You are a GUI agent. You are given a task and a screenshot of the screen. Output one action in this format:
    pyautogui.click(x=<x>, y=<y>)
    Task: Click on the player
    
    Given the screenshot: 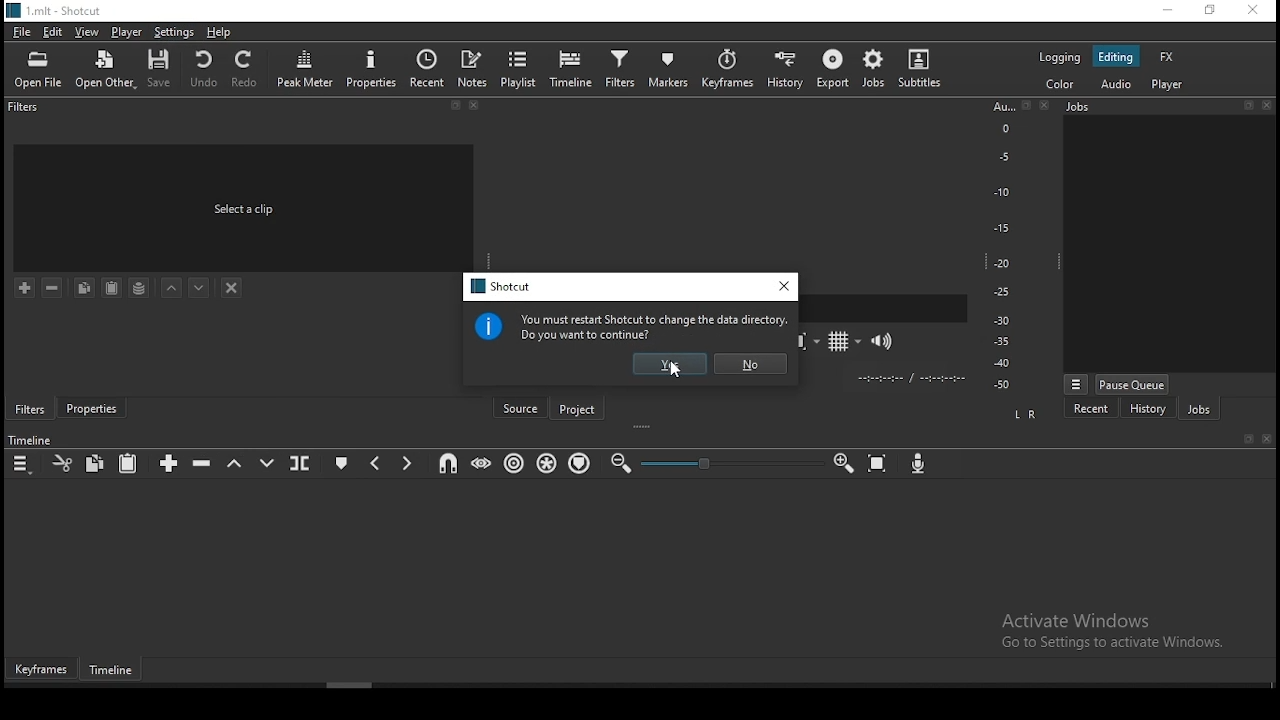 What is the action you would take?
    pyautogui.click(x=124, y=33)
    